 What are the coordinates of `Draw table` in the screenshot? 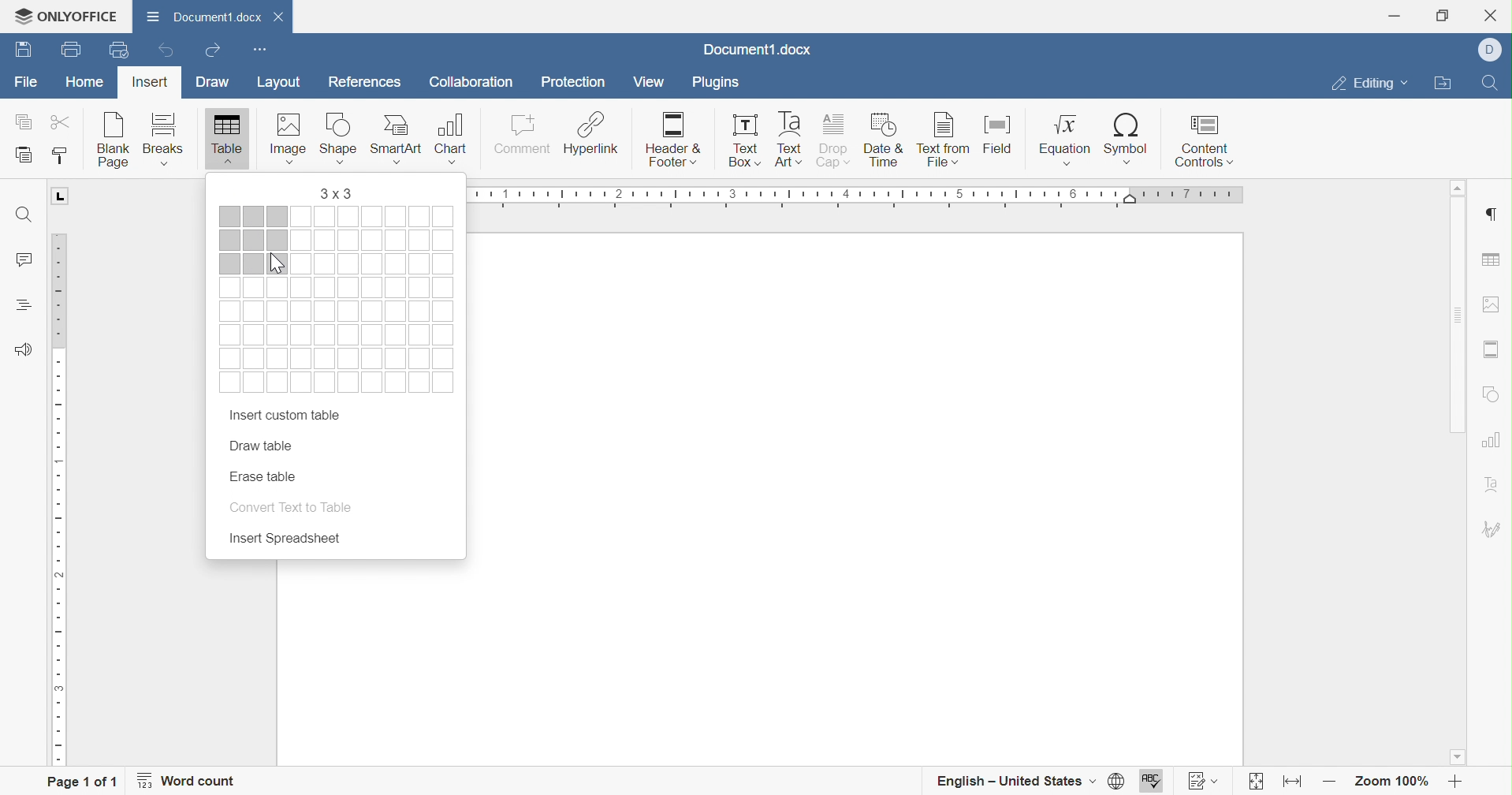 It's located at (263, 446).